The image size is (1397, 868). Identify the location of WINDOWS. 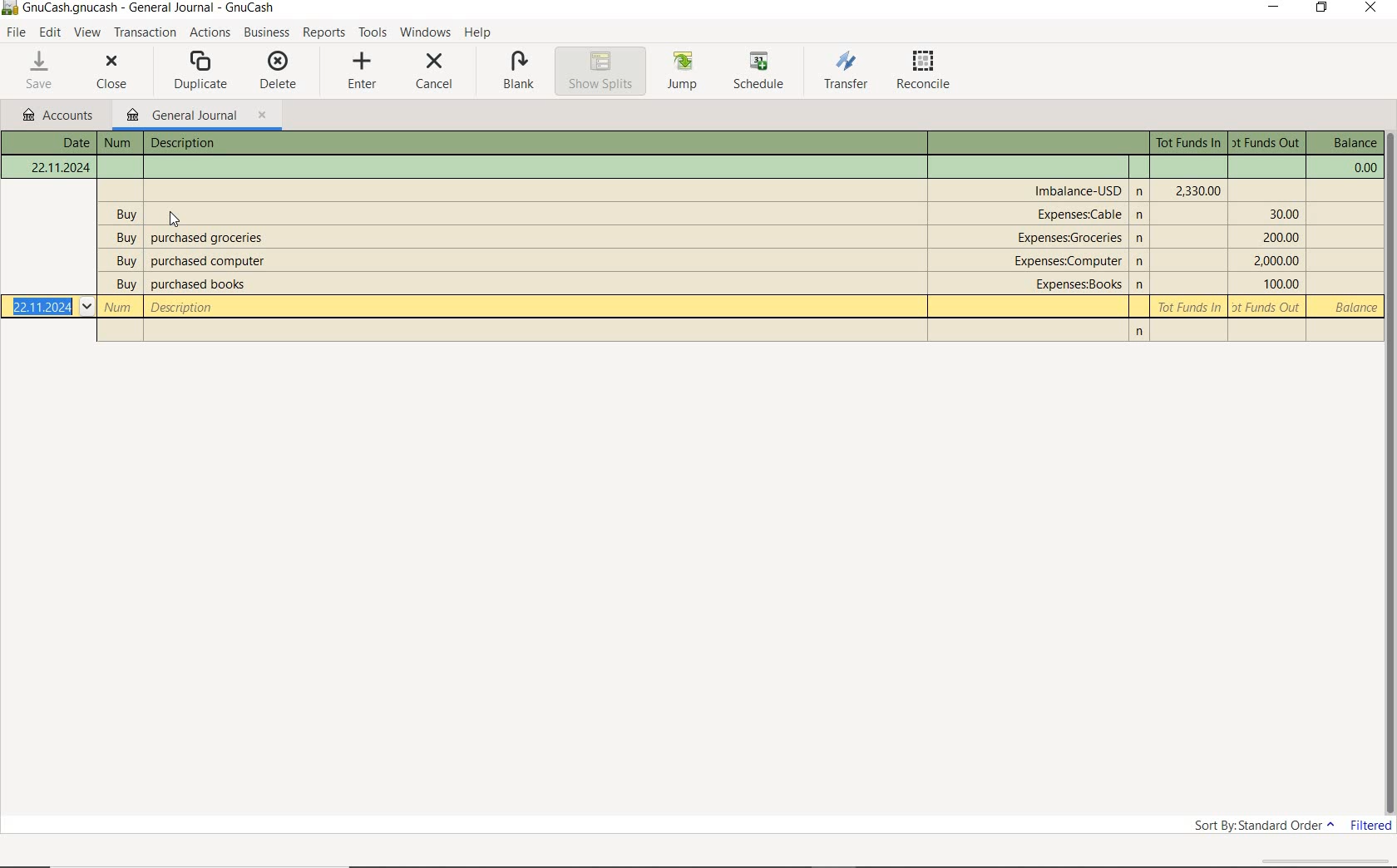
(426, 32).